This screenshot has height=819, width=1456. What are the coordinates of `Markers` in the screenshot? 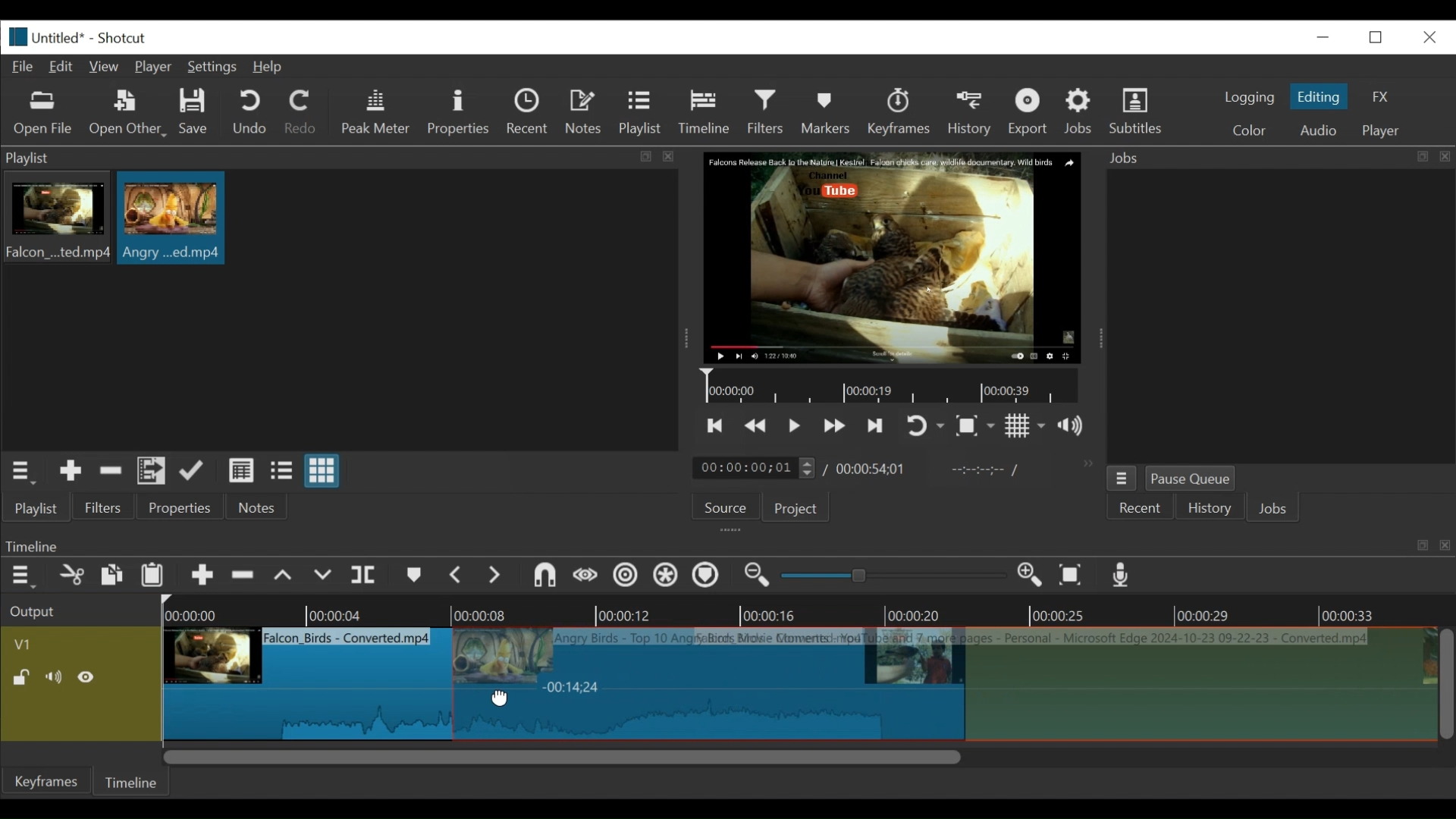 It's located at (829, 111).